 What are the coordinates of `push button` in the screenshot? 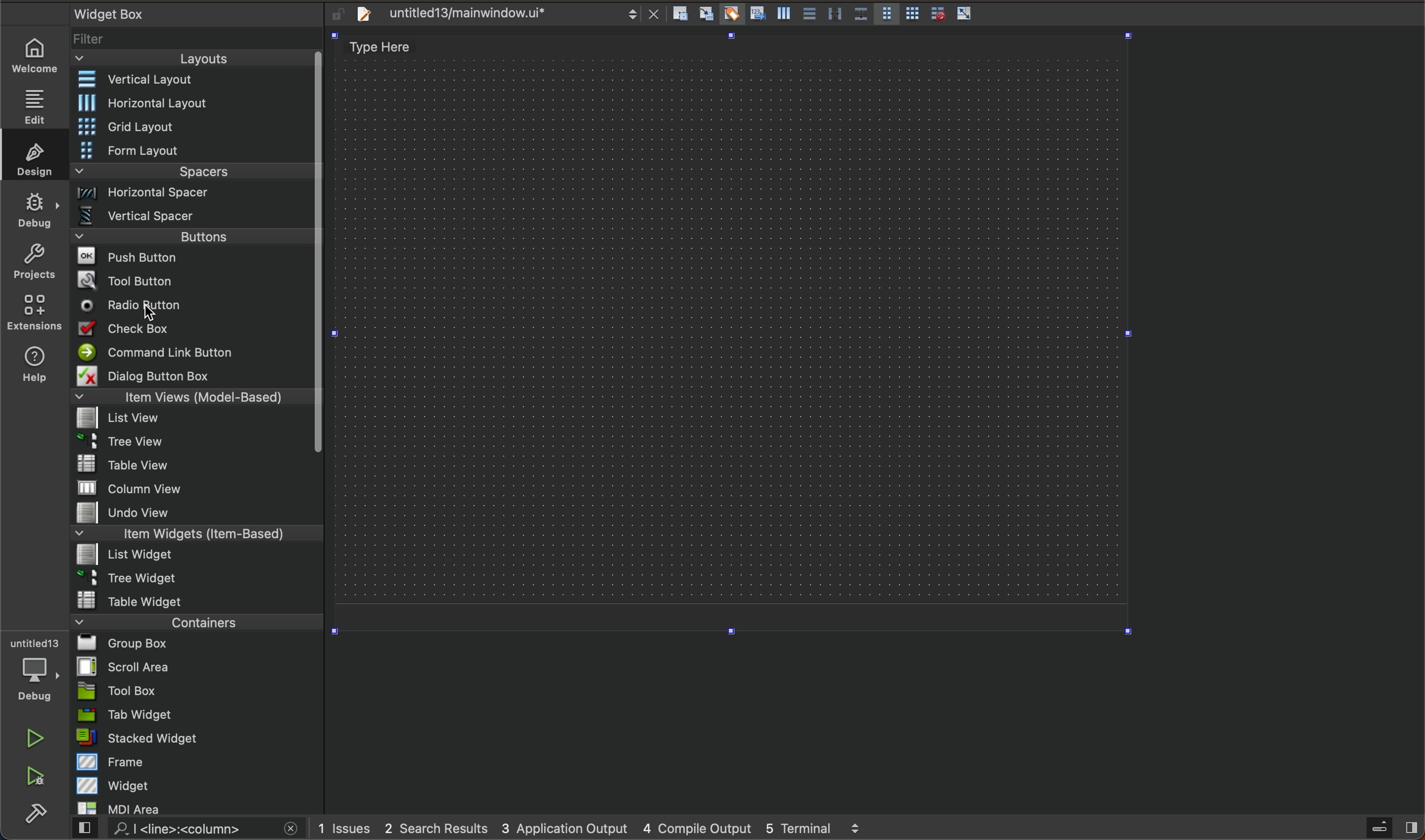 It's located at (192, 259).